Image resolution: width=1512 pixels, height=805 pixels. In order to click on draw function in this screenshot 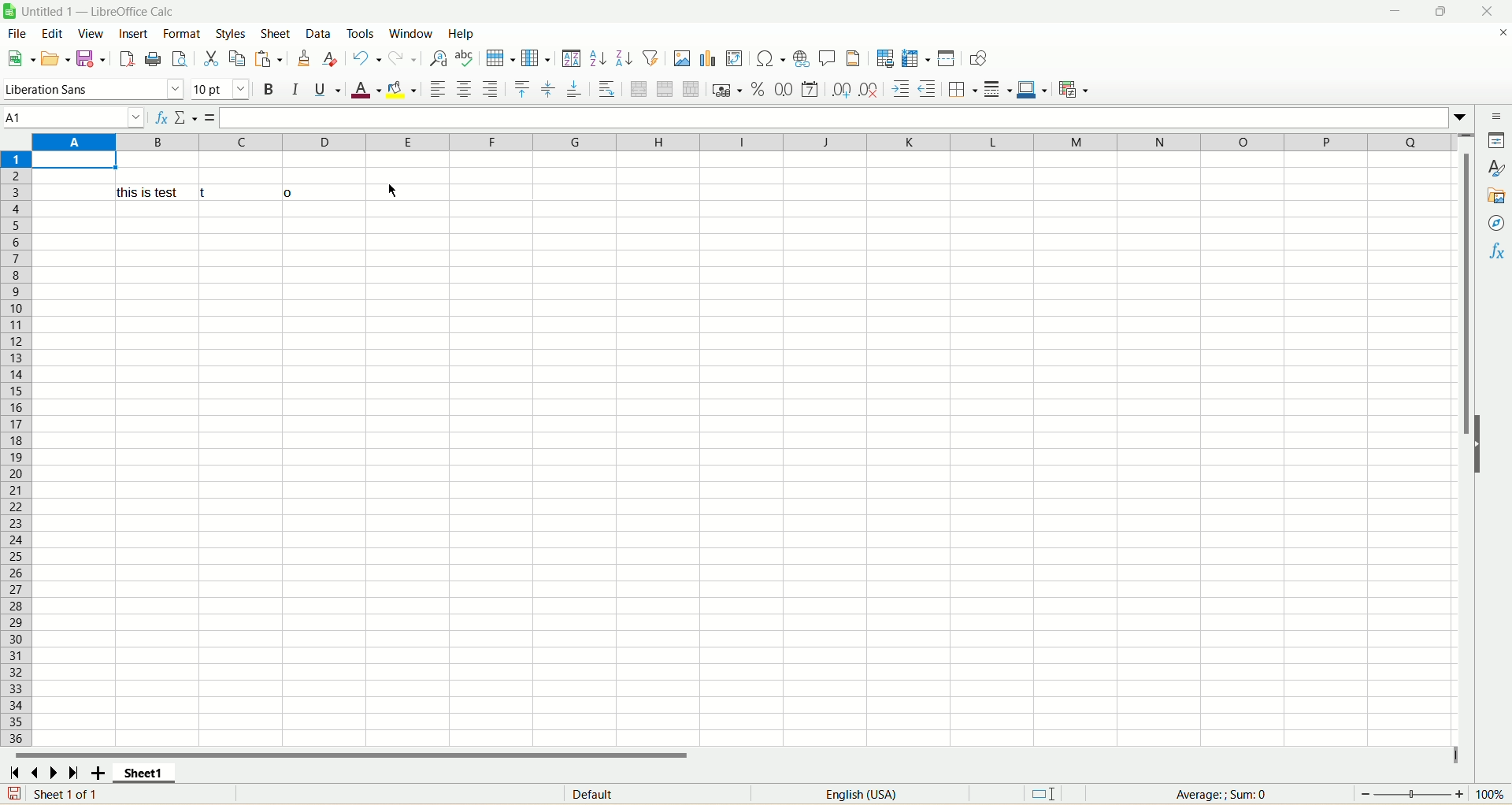, I will do `click(979, 58)`.